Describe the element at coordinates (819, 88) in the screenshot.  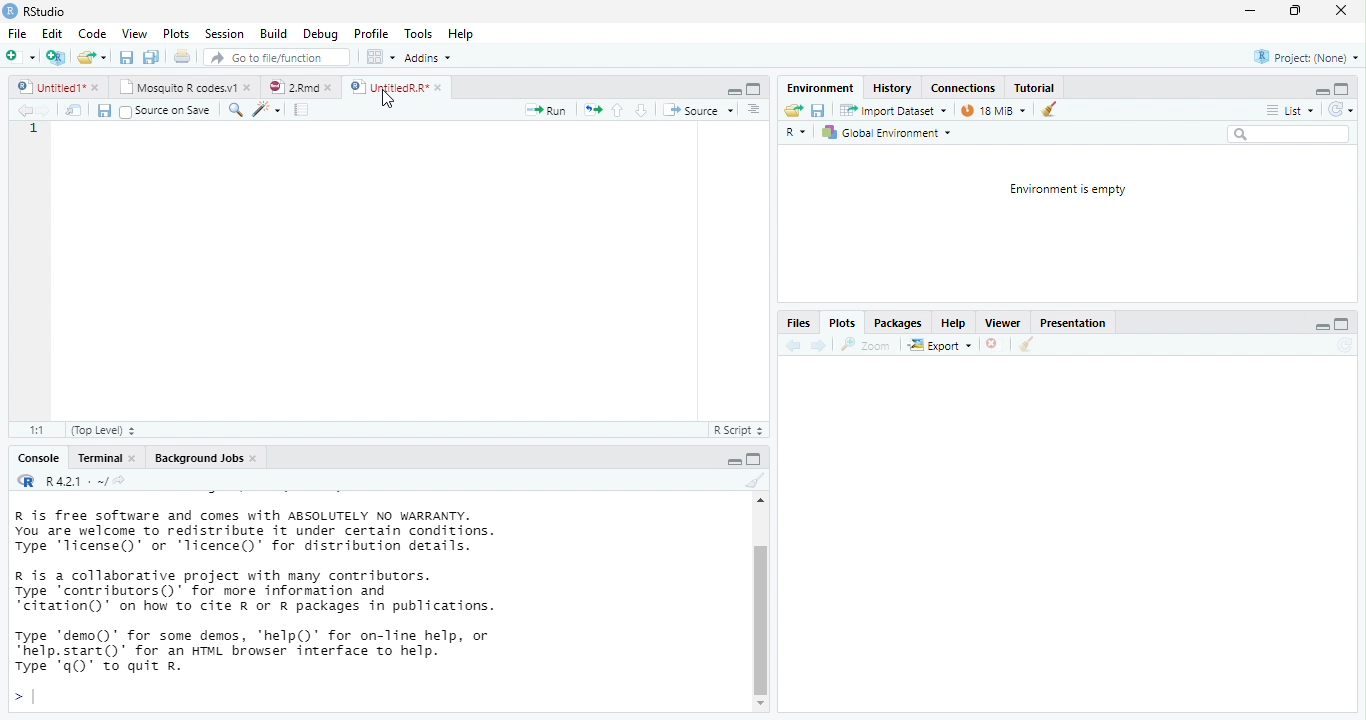
I see `‘Environment` at that location.